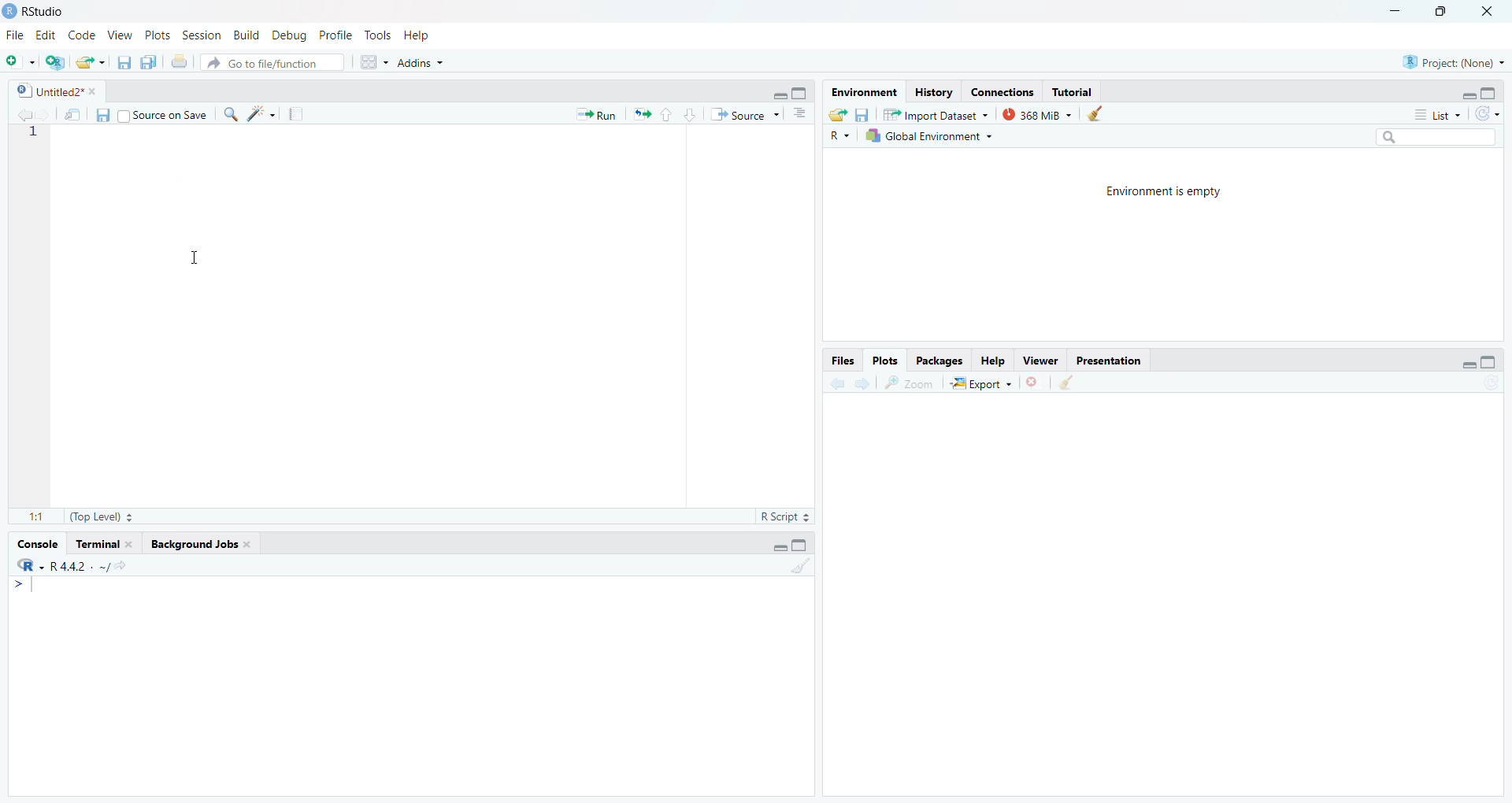 This screenshot has width=1512, height=803. What do you see at coordinates (155, 34) in the screenshot?
I see `Plots` at bounding box center [155, 34].